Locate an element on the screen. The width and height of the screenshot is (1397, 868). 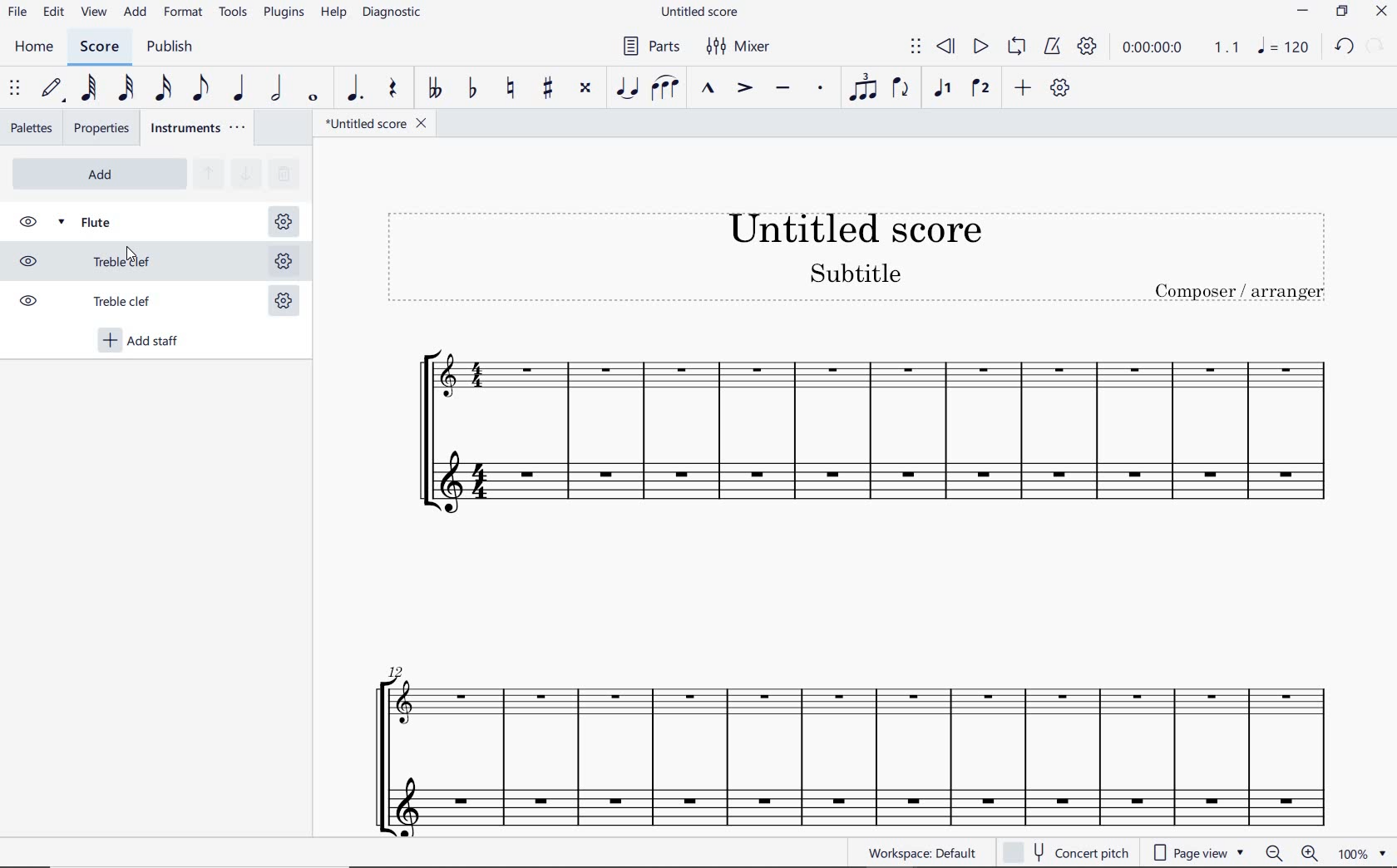
minimize is located at coordinates (1302, 11).